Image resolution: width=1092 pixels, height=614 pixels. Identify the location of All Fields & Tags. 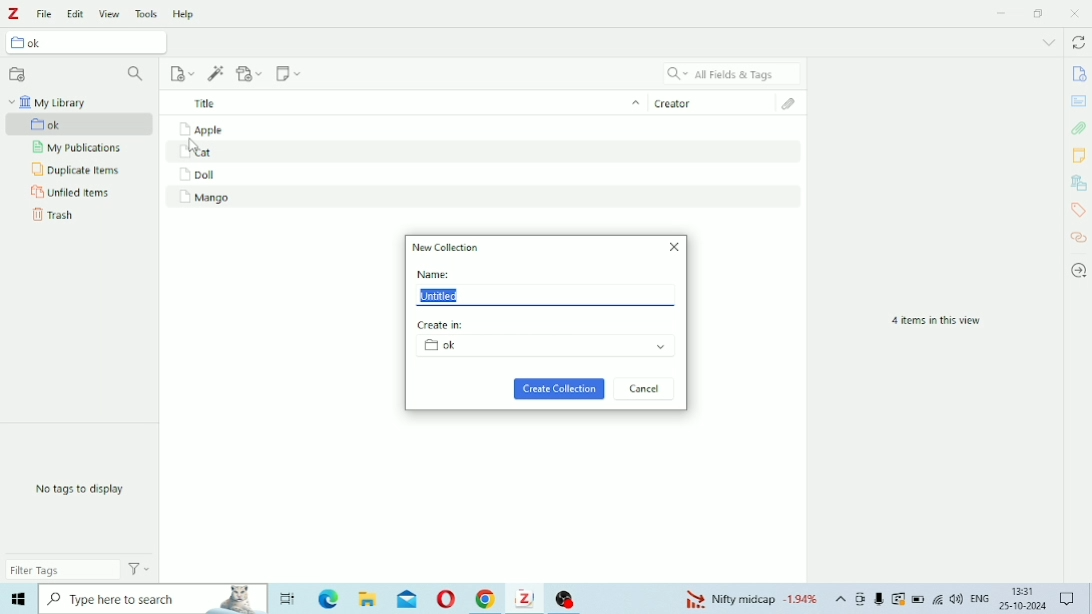
(732, 73).